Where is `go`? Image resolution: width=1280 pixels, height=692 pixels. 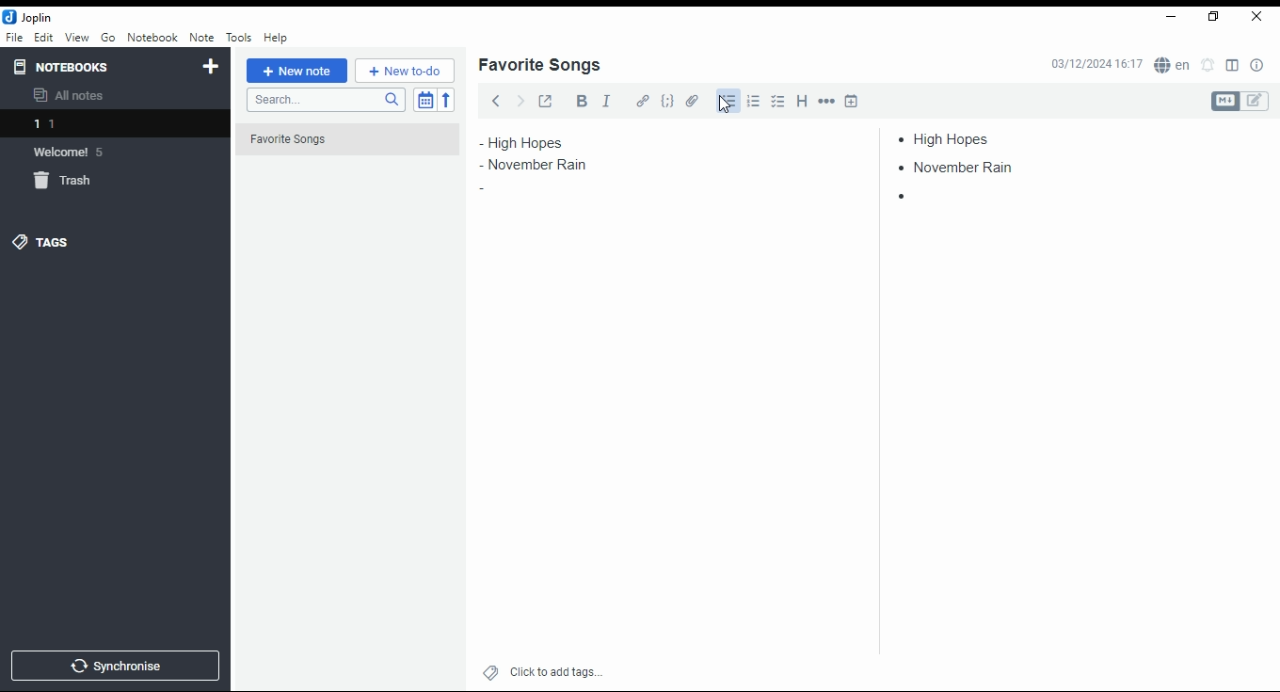
go is located at coordinates (110, 40).